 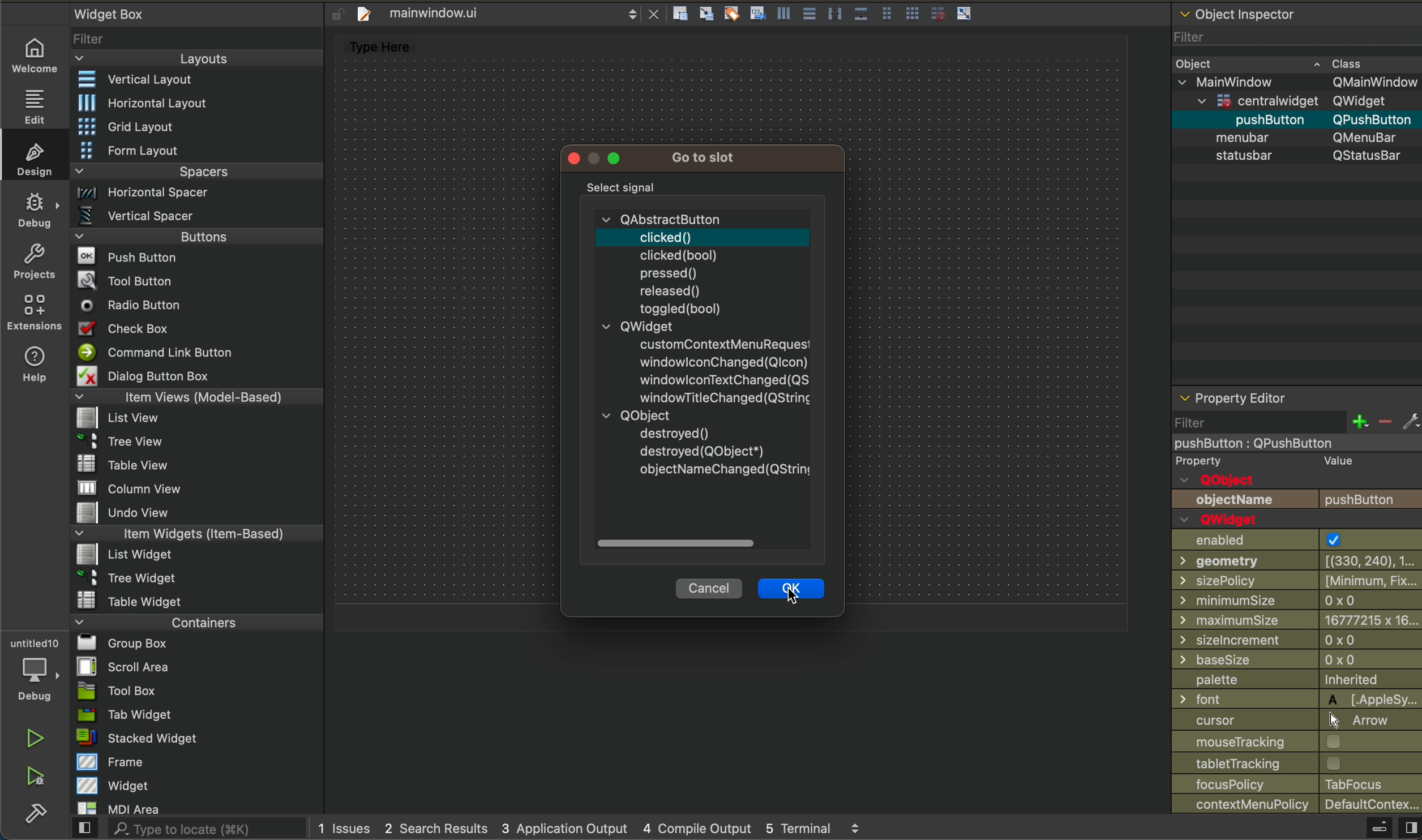 I want to click on containers, so click(x=194, y=624).